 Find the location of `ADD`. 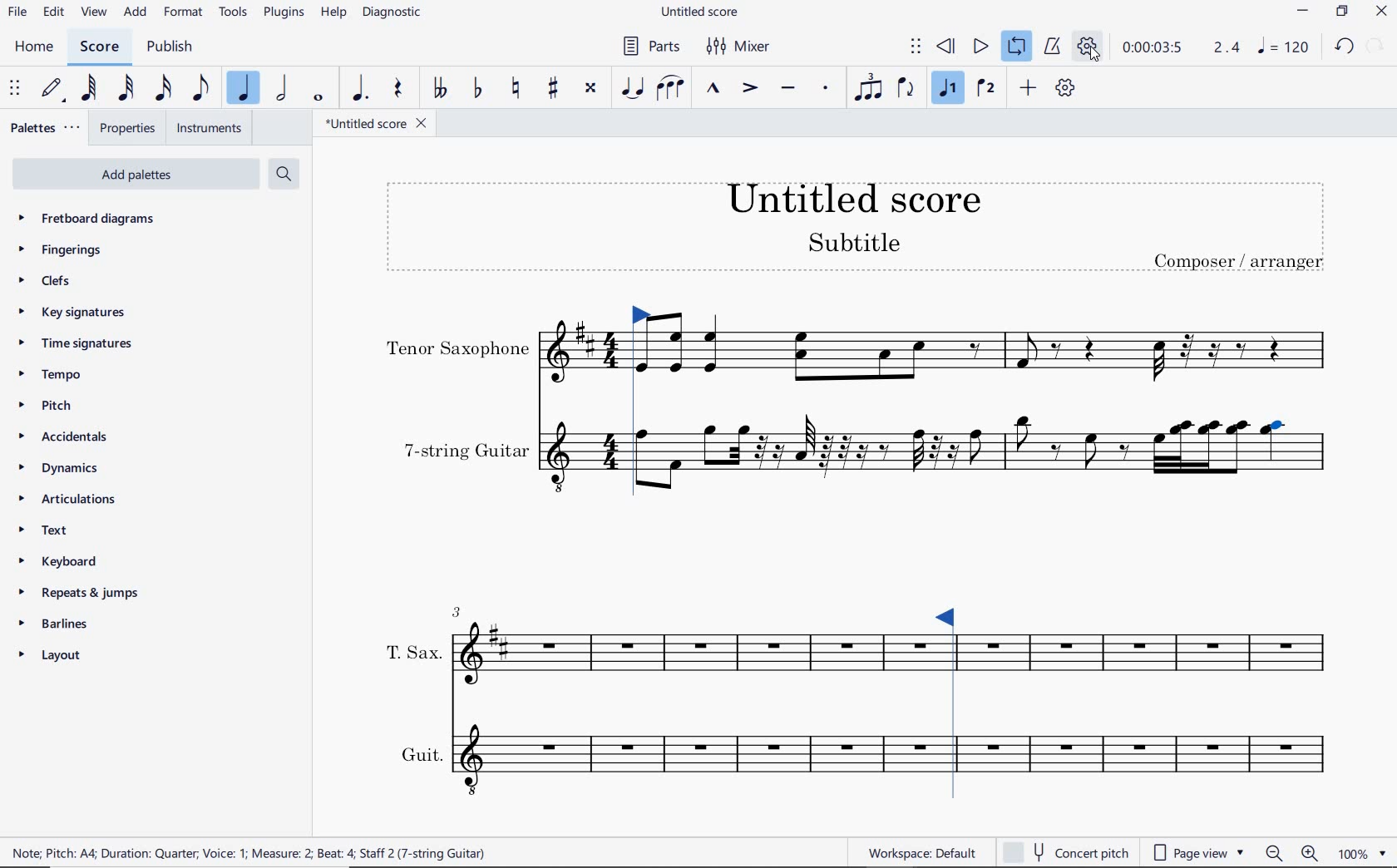

ADD is located at coordinates (136, 11).